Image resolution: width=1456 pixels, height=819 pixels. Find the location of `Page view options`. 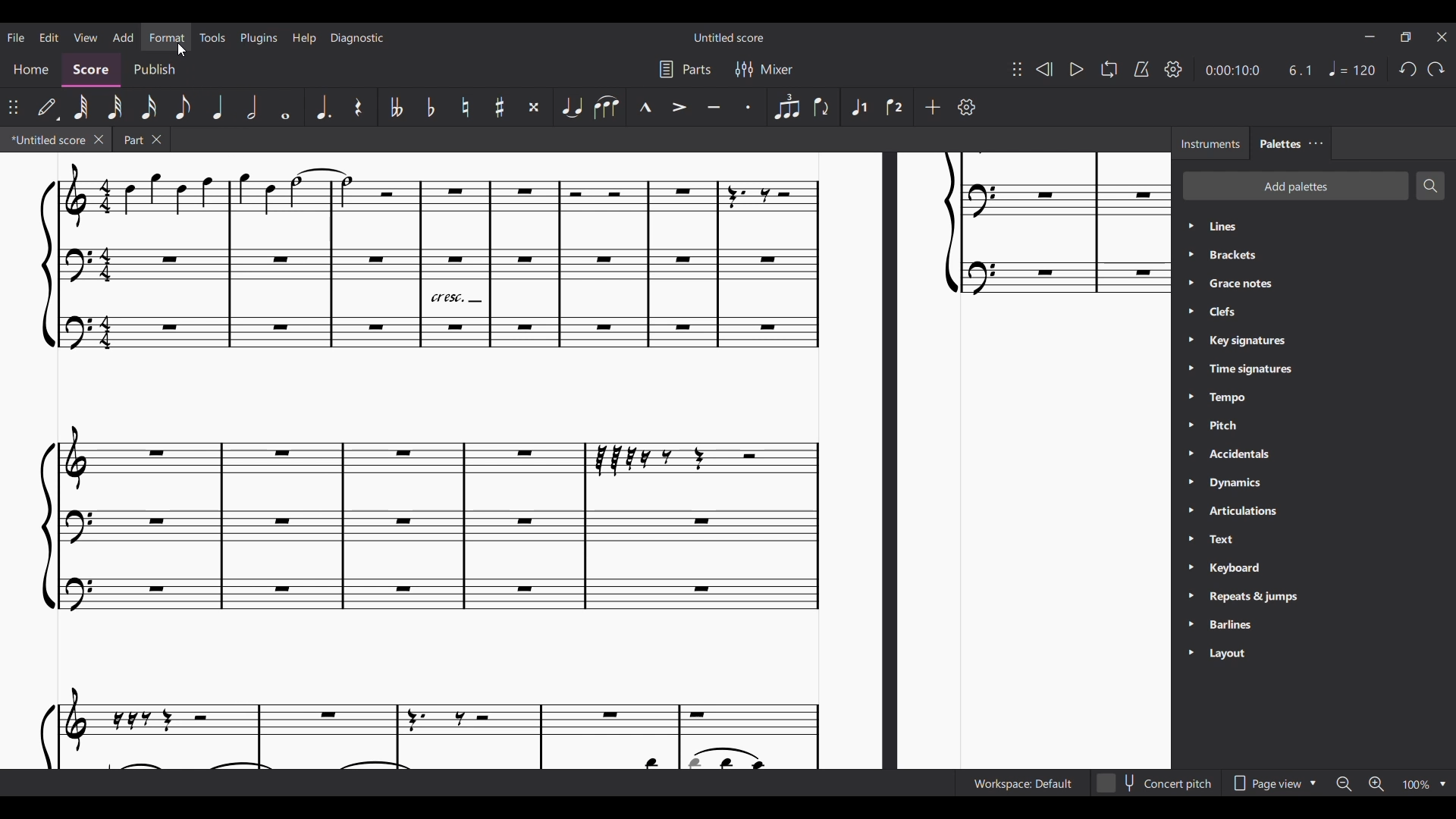

Page view options is located at coordinates (1273, 783).